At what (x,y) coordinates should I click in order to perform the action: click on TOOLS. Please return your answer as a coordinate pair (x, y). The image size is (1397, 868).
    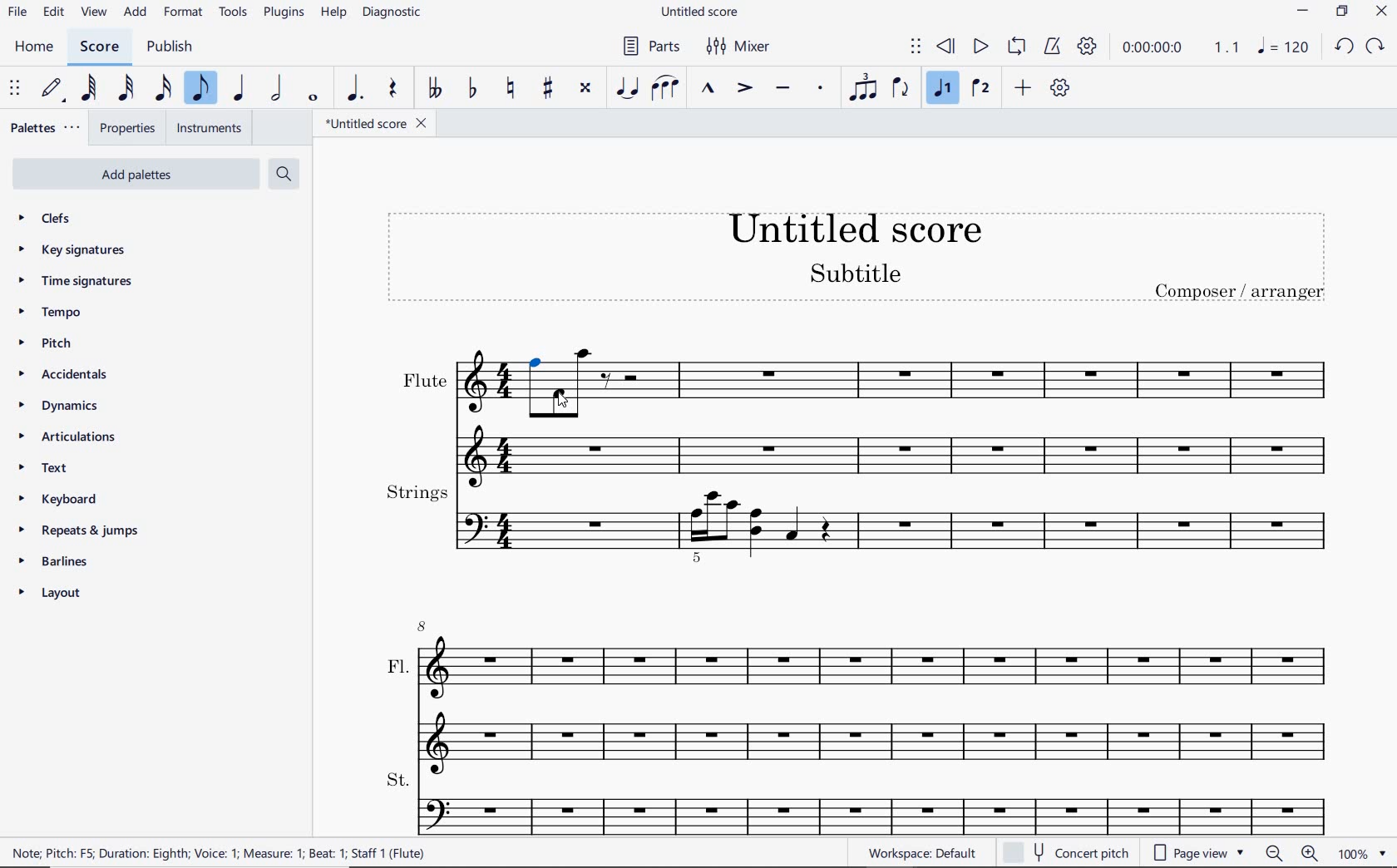
    Looking at the image, I should click on (234, 13).